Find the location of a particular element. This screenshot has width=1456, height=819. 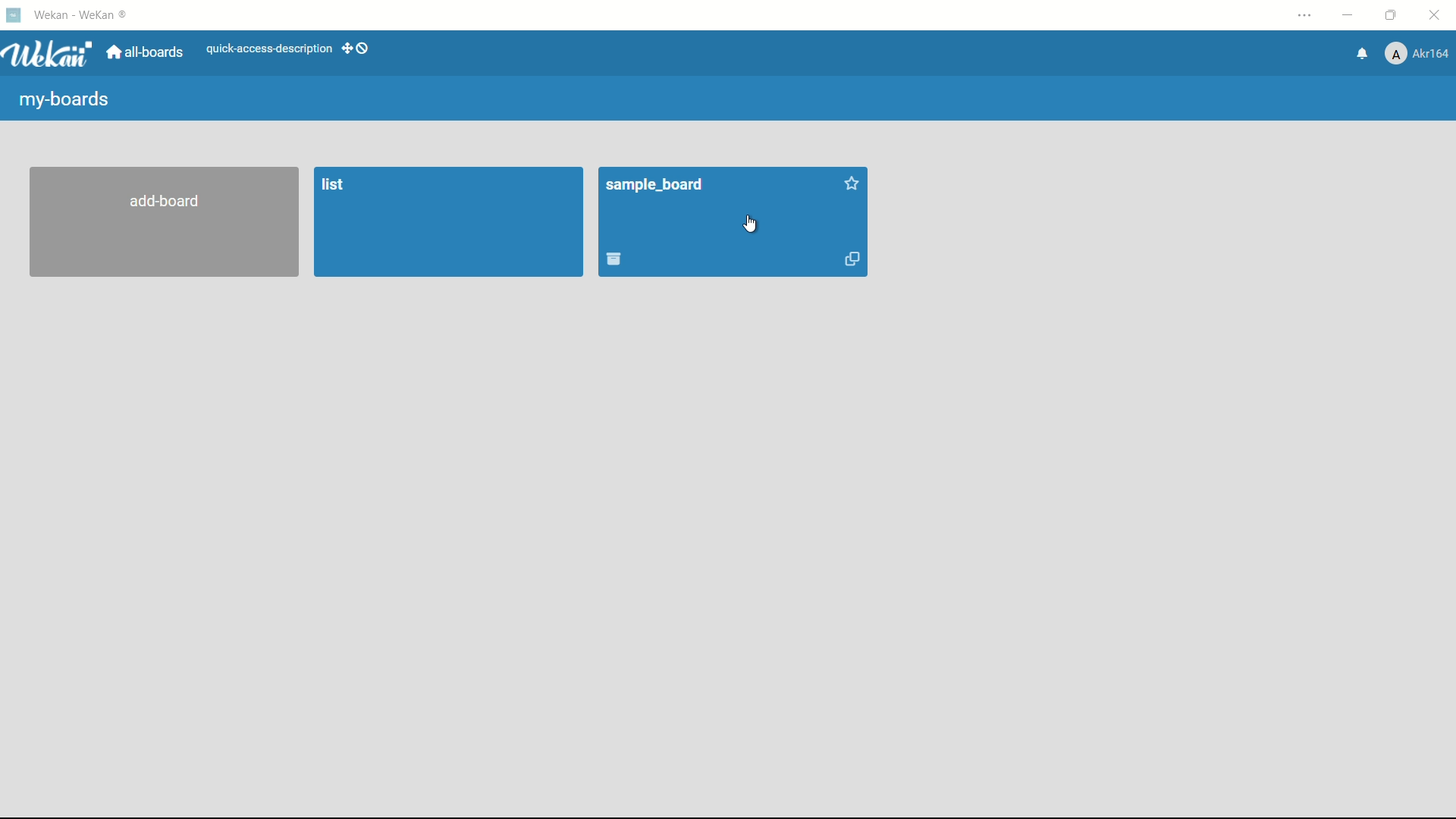

settings and more is located at coordinates (1302, 14).